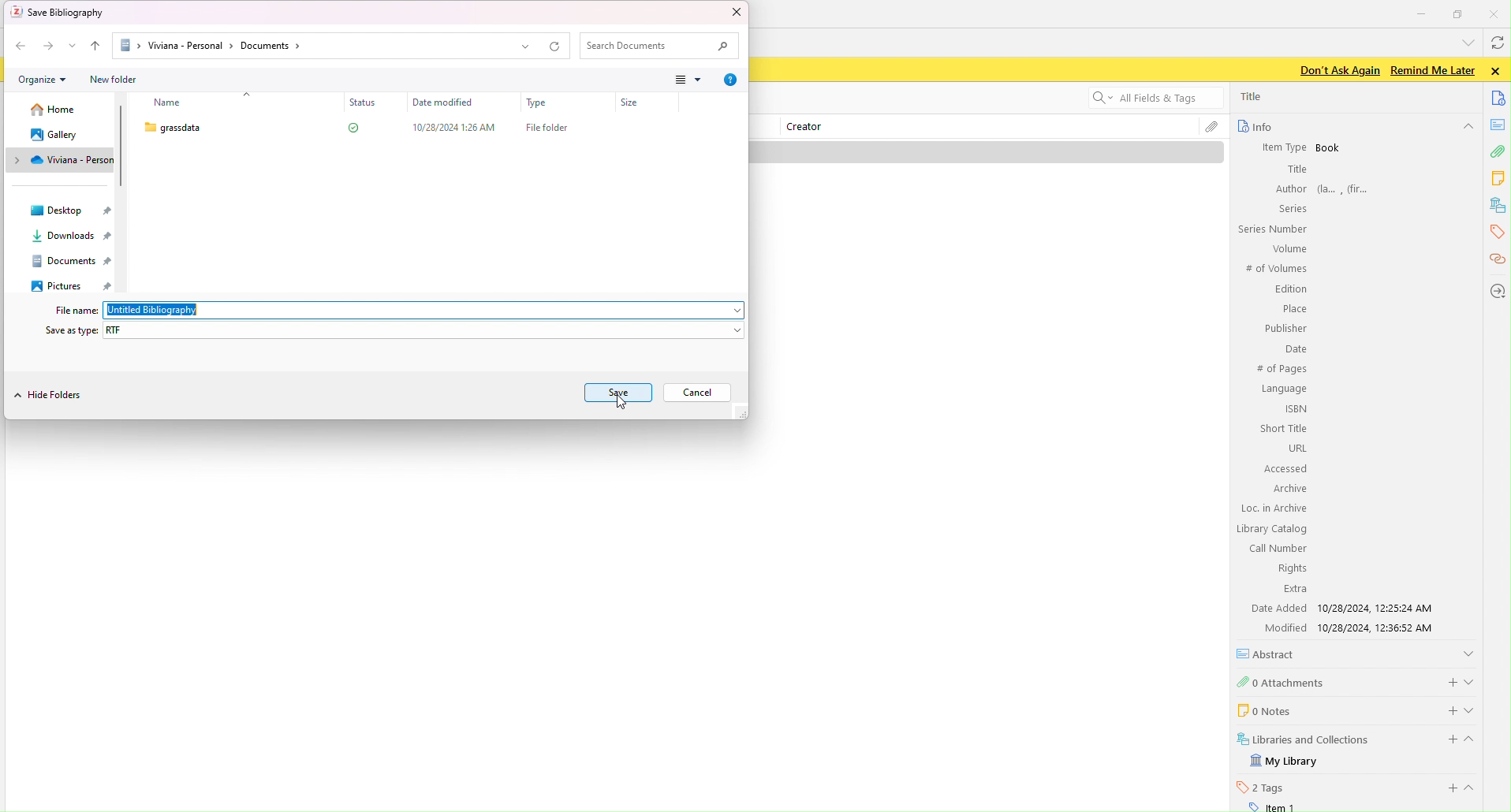 The width and height of the screenshot is (1511, 812). I want to click on View, so click(688, 79).